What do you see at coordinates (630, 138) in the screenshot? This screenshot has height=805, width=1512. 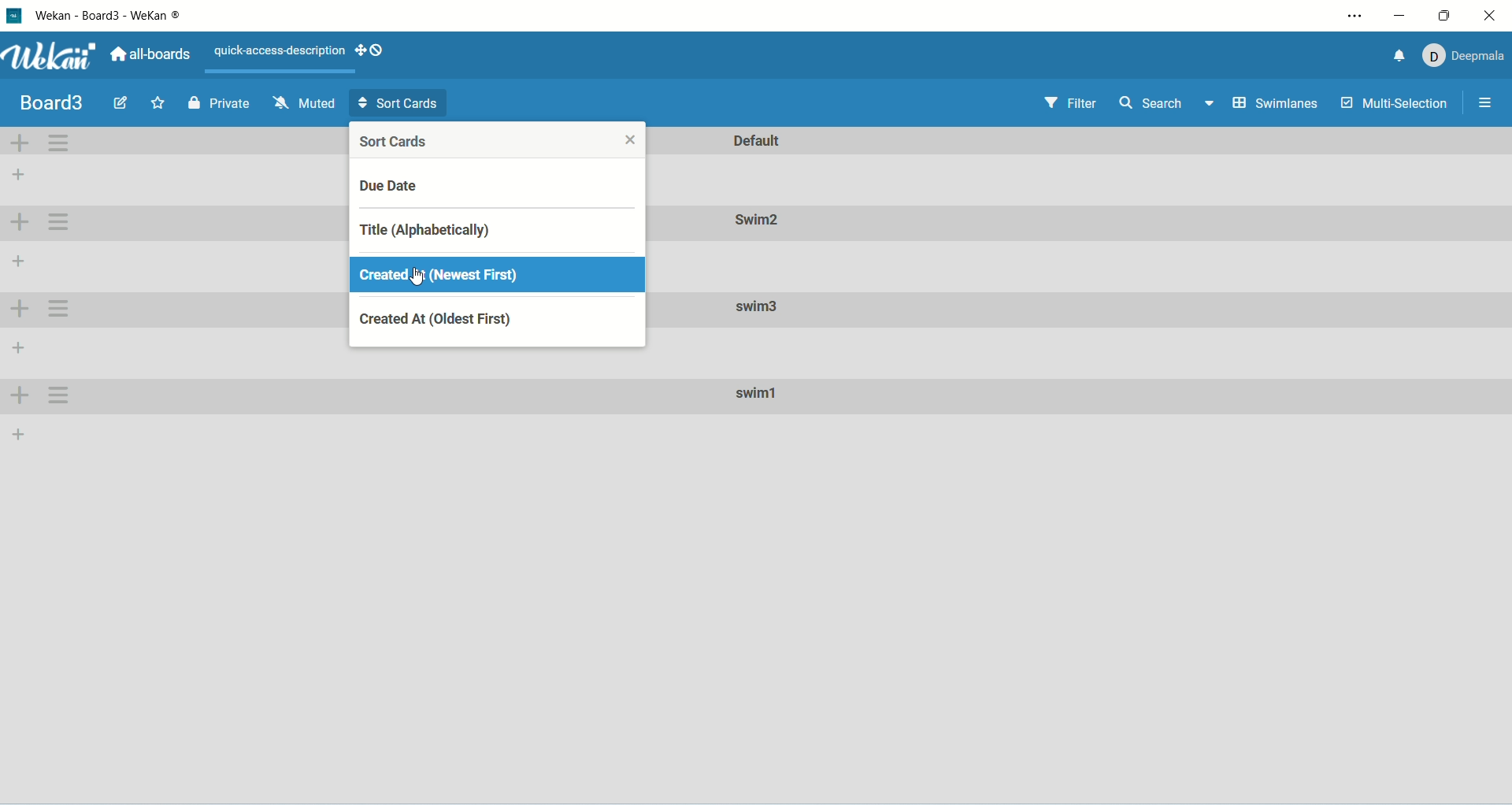 I see `close` at bounding box center [630, 138].